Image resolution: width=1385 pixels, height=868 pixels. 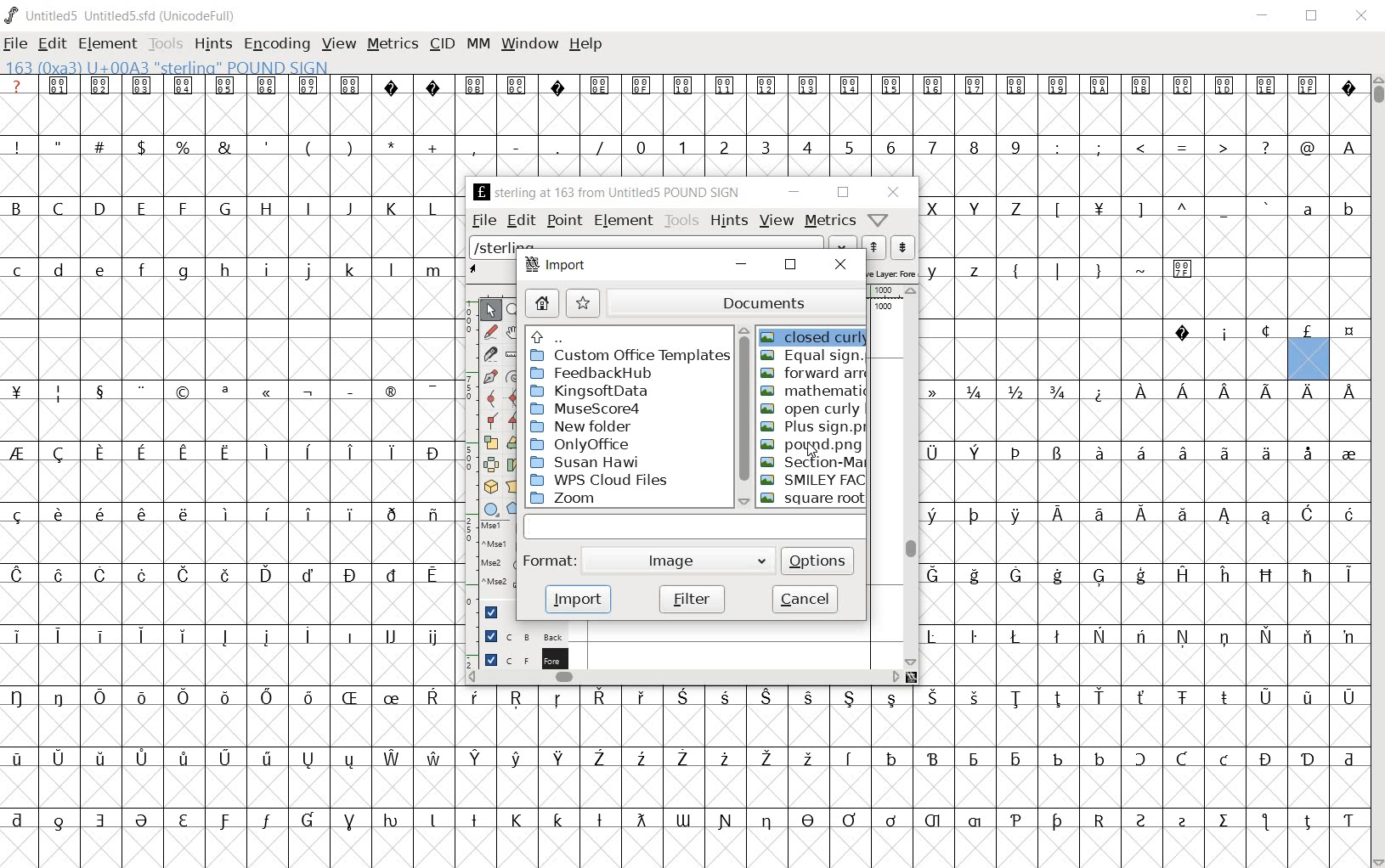 What do you see at coordinates (973, 208) in the screenshot?
I see `Y` at bounding box center [973, 208].